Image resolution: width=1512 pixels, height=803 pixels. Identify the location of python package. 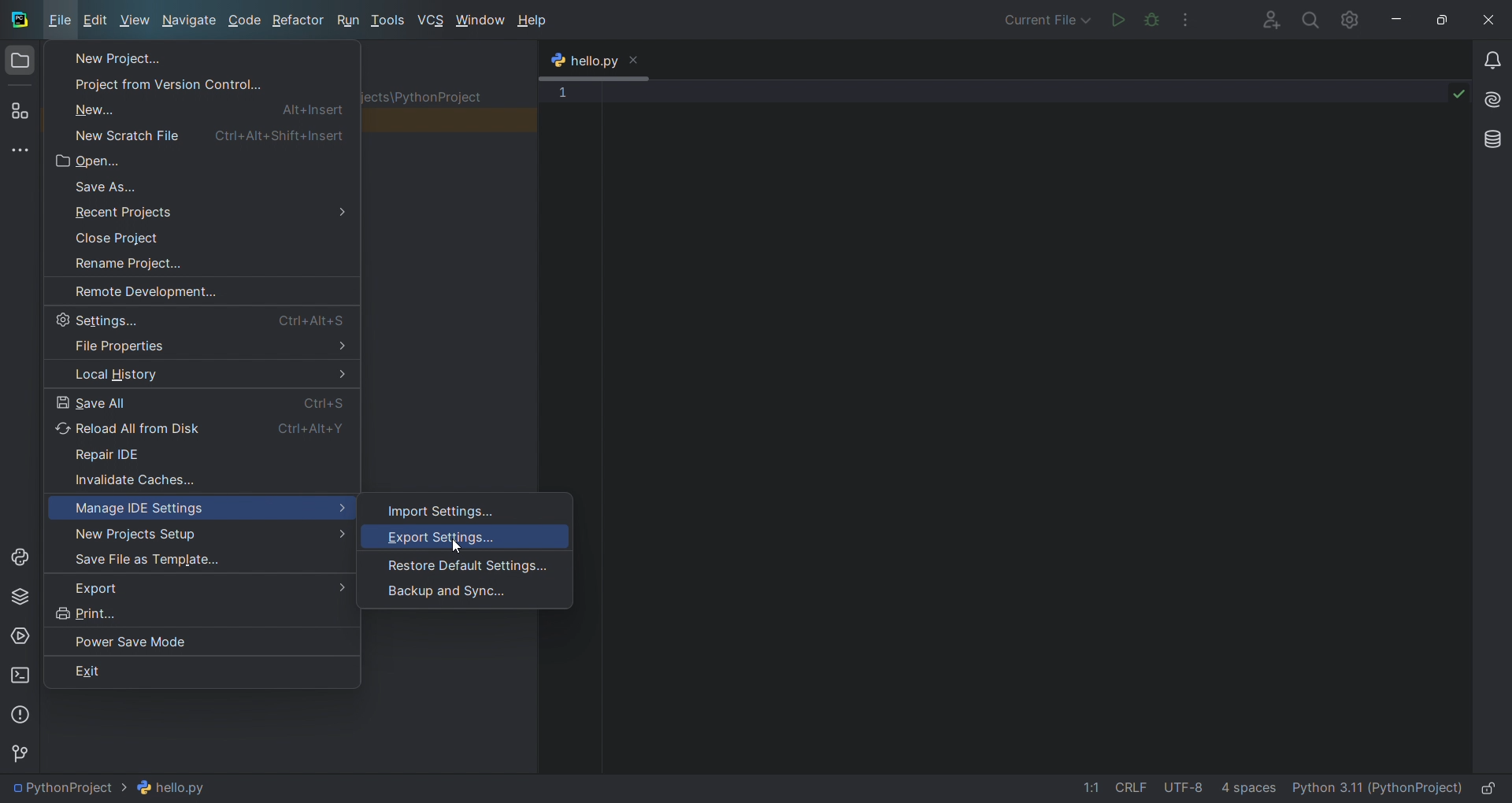
(19, 600).